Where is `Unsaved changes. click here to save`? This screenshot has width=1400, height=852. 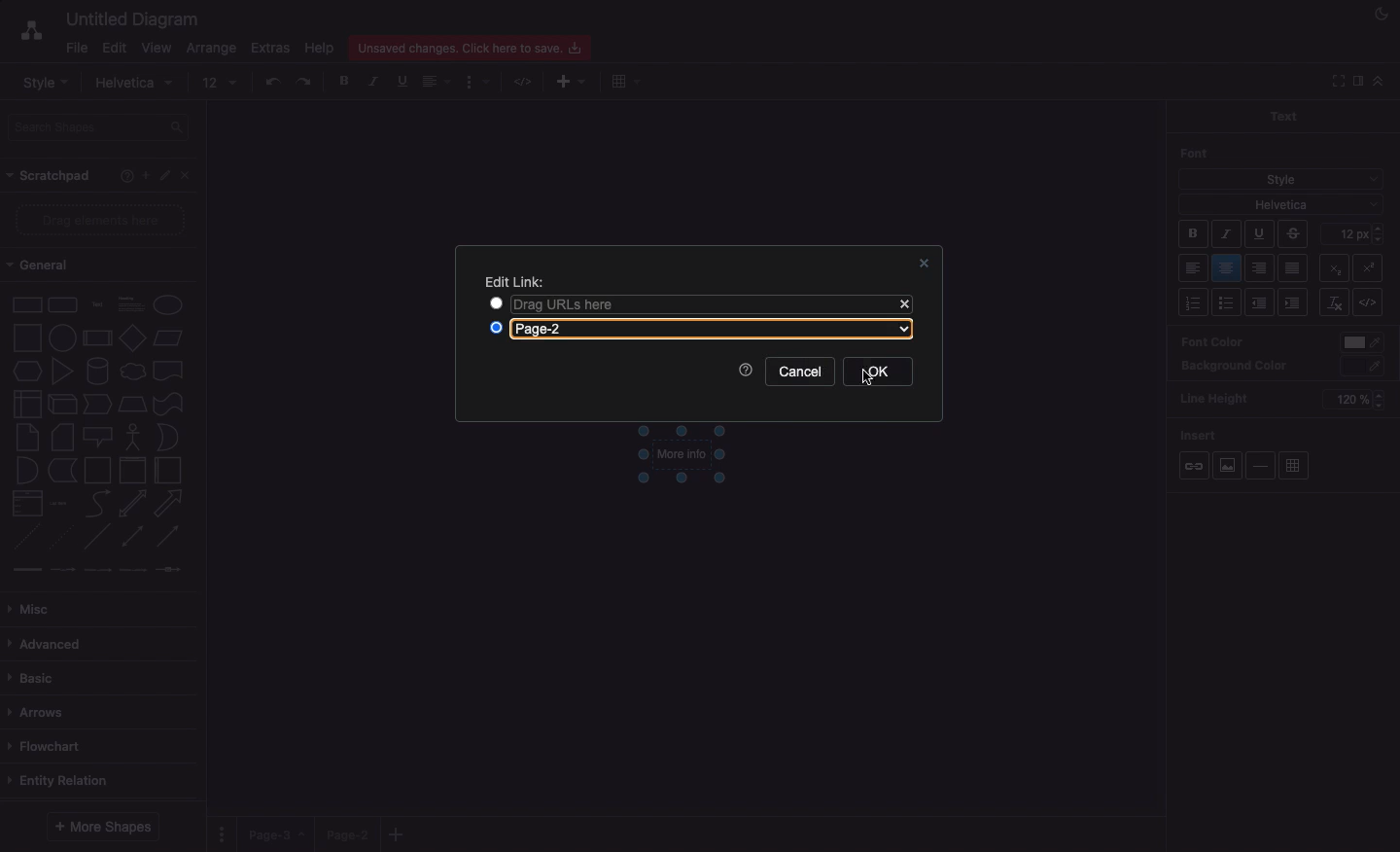 Unsaved changes. click here to save is located at coordinates (468, 47).